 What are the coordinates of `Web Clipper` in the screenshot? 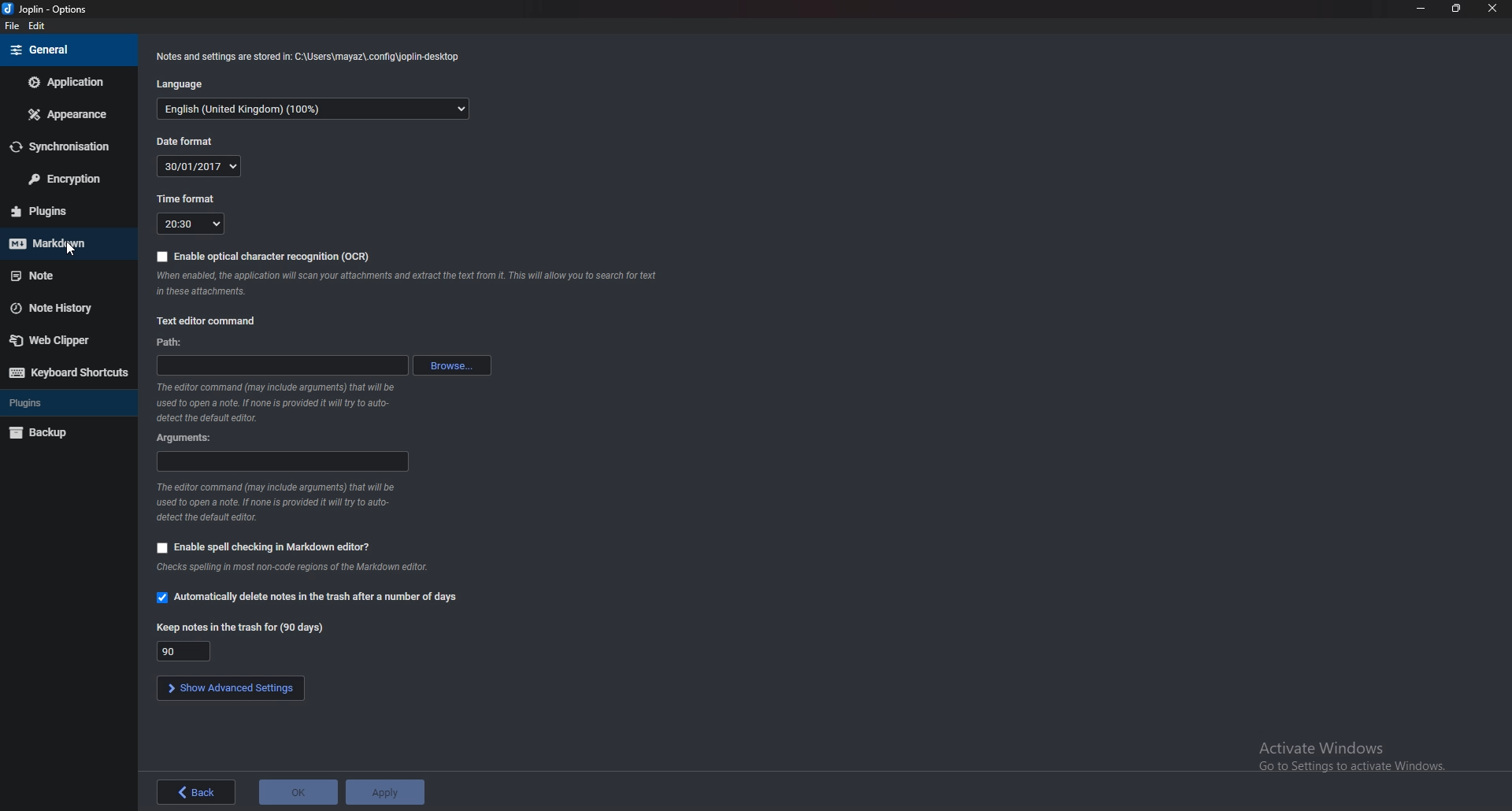 It's located at (65, 340).